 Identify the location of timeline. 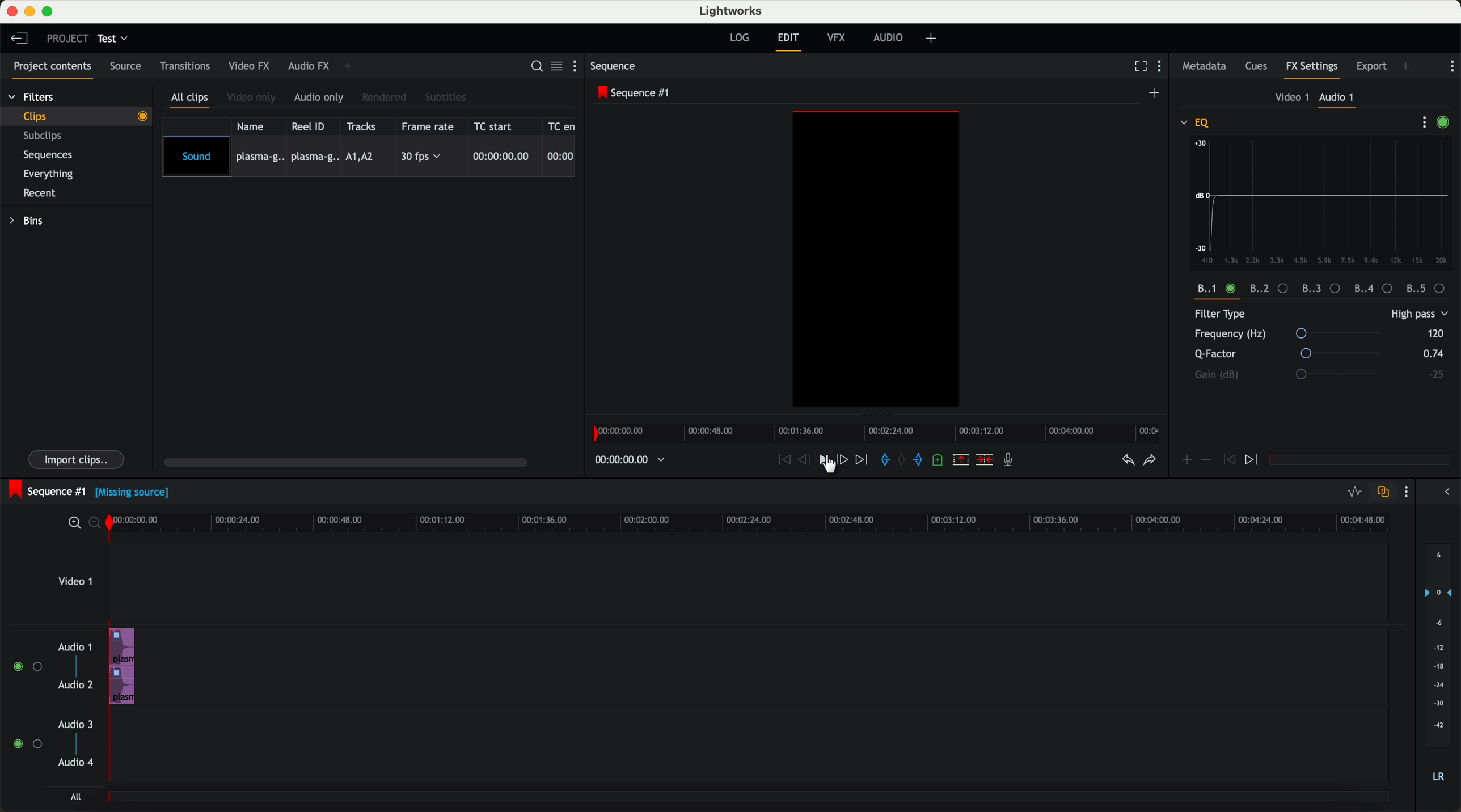
(880, 433).